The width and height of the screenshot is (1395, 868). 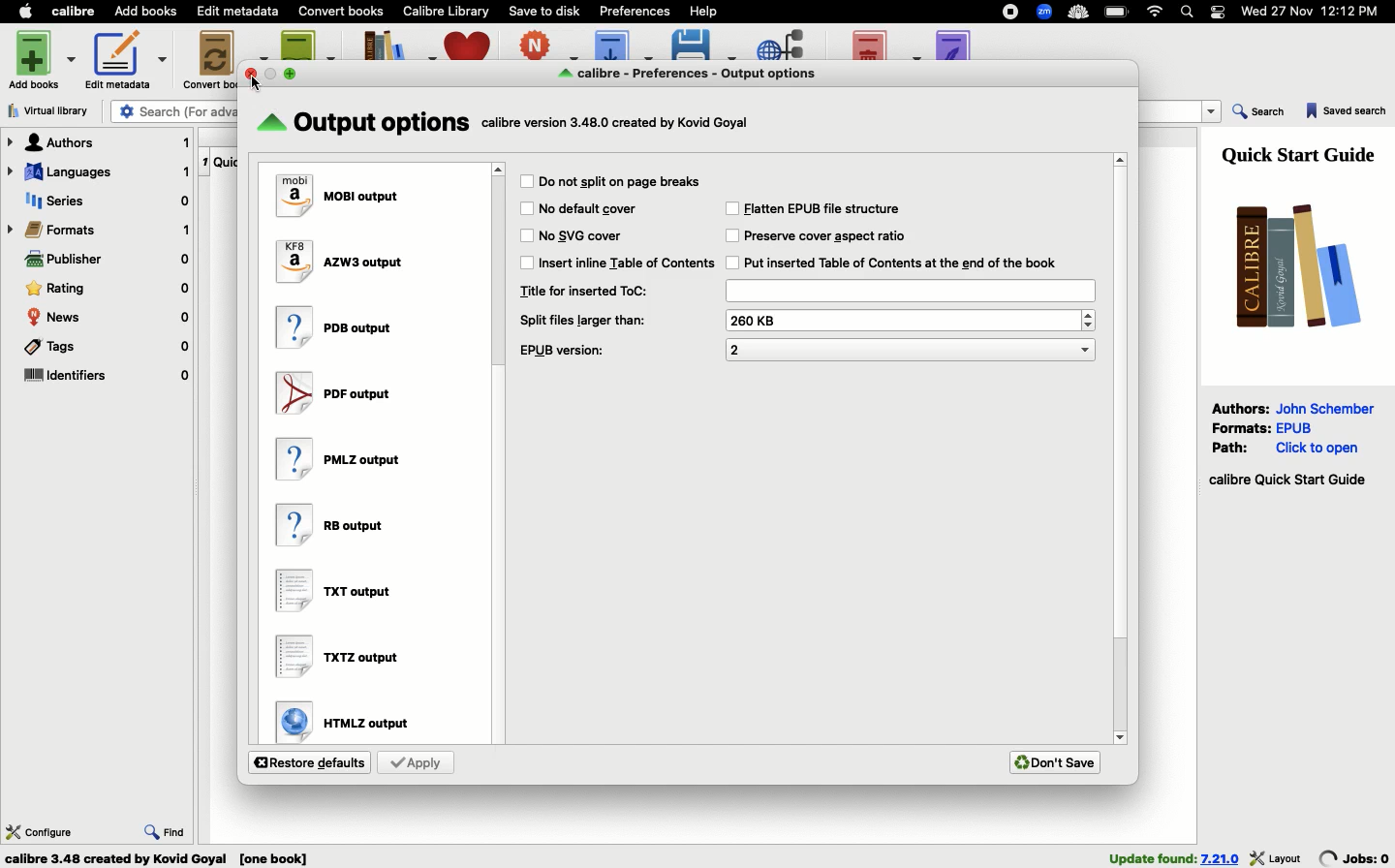 What do you see at coordinates (365, 124) in the screenshot?
I see `Output options` at bounding box center [365, 124].